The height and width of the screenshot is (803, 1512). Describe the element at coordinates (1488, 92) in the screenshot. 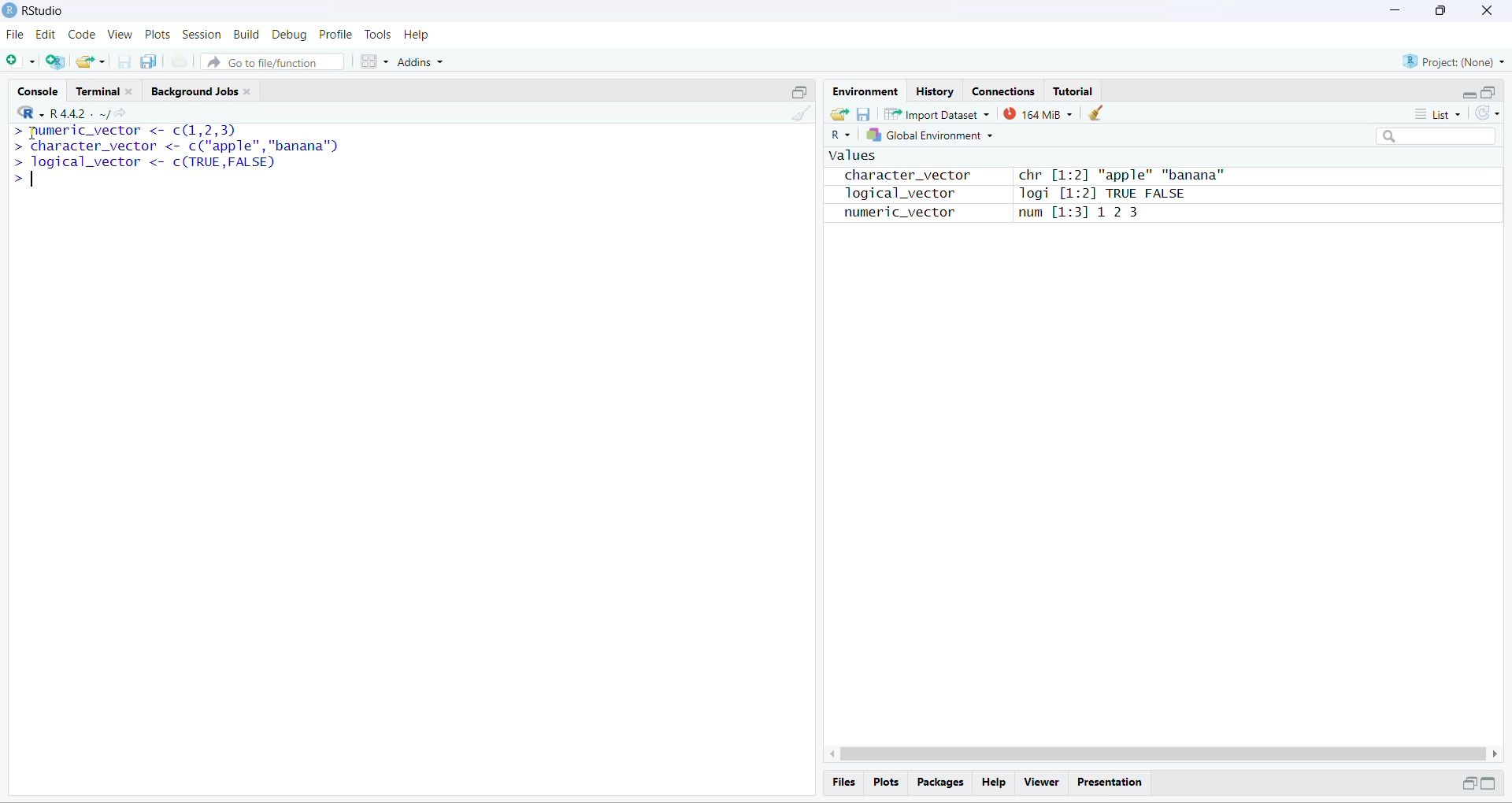

I see `maximize` at that location.